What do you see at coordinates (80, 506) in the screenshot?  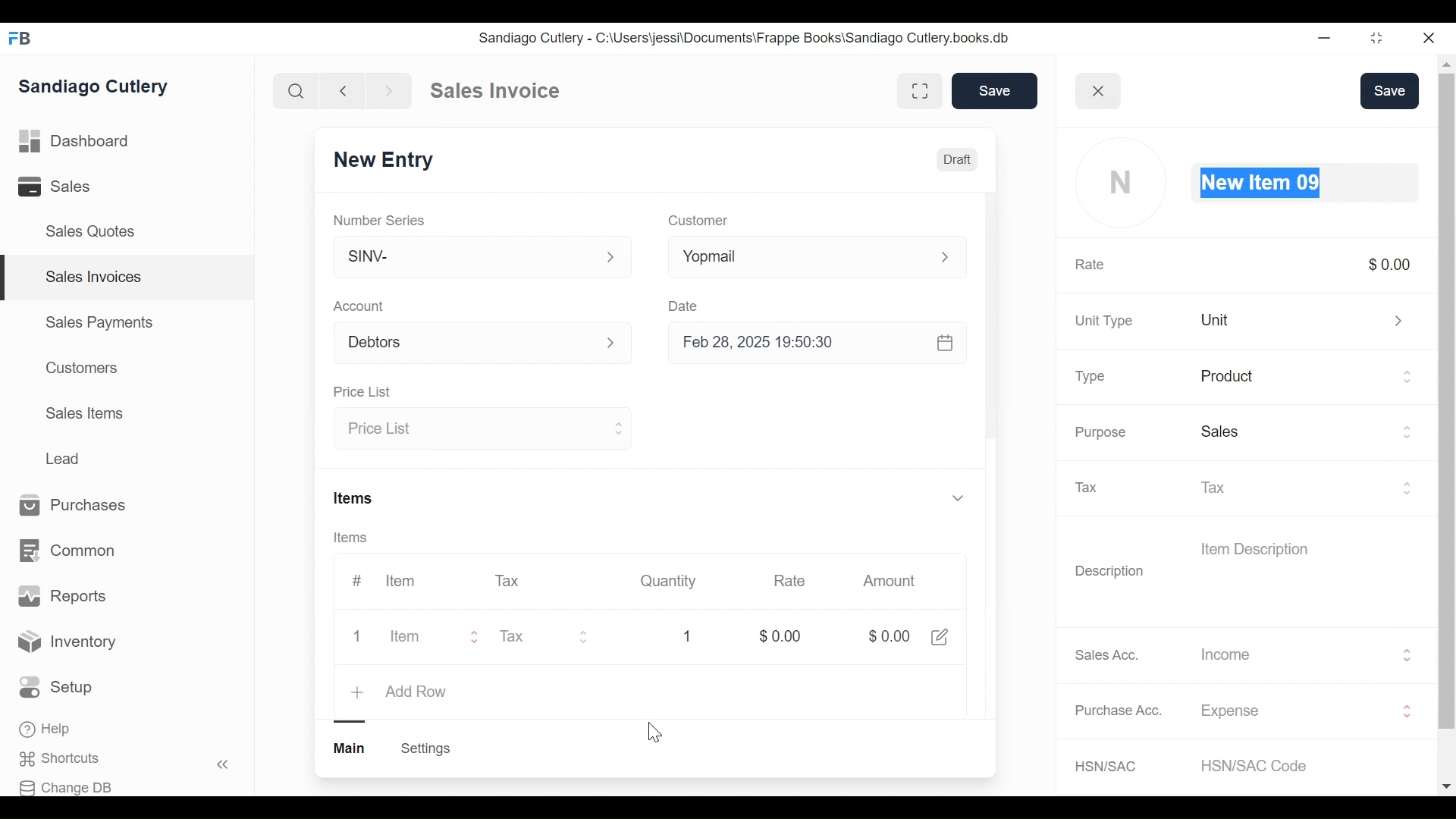 I see `Purchases` at bounding box center [80, 506].